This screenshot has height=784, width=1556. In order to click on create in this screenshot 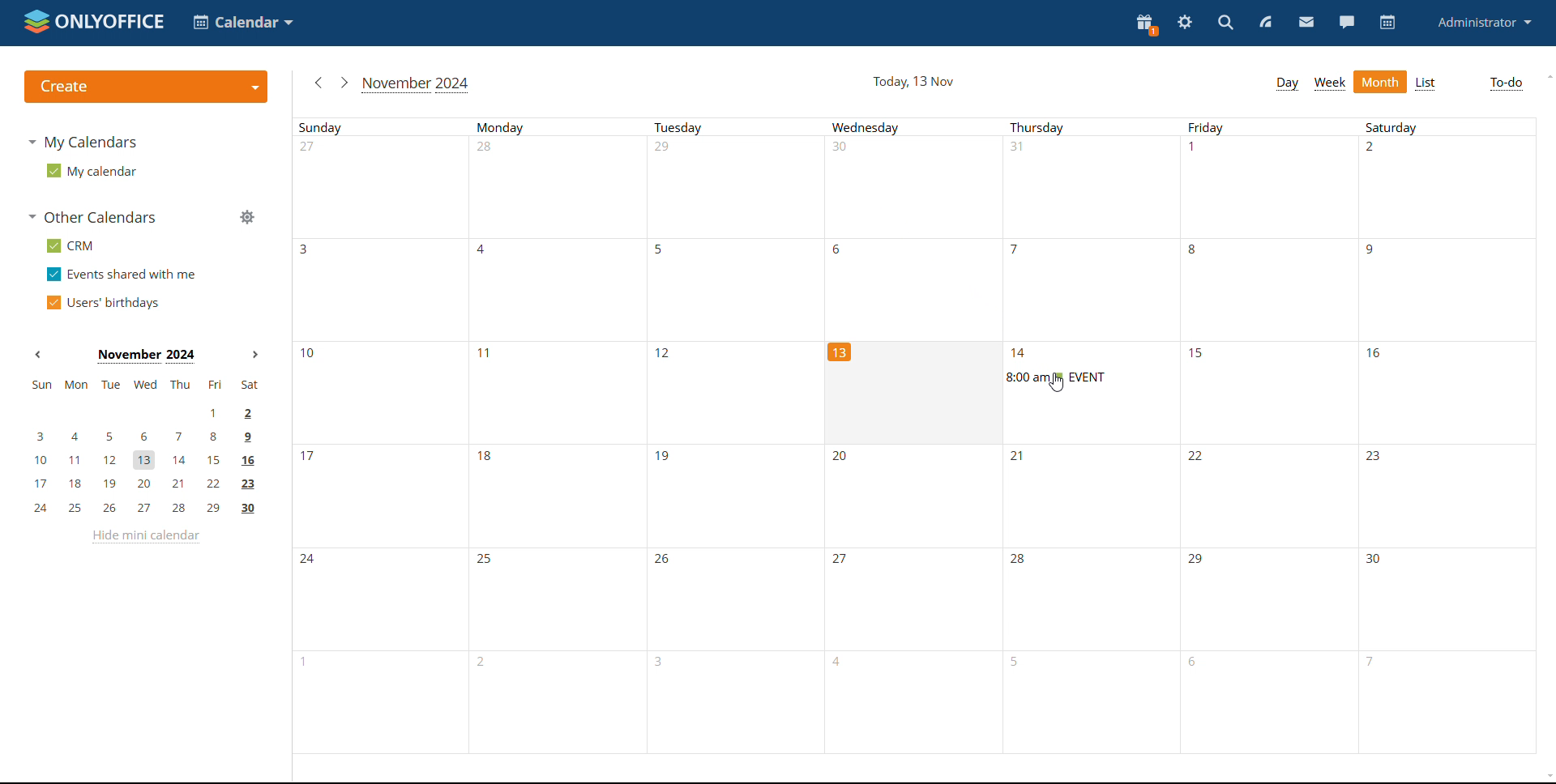, I will do `click(144, 87)`.